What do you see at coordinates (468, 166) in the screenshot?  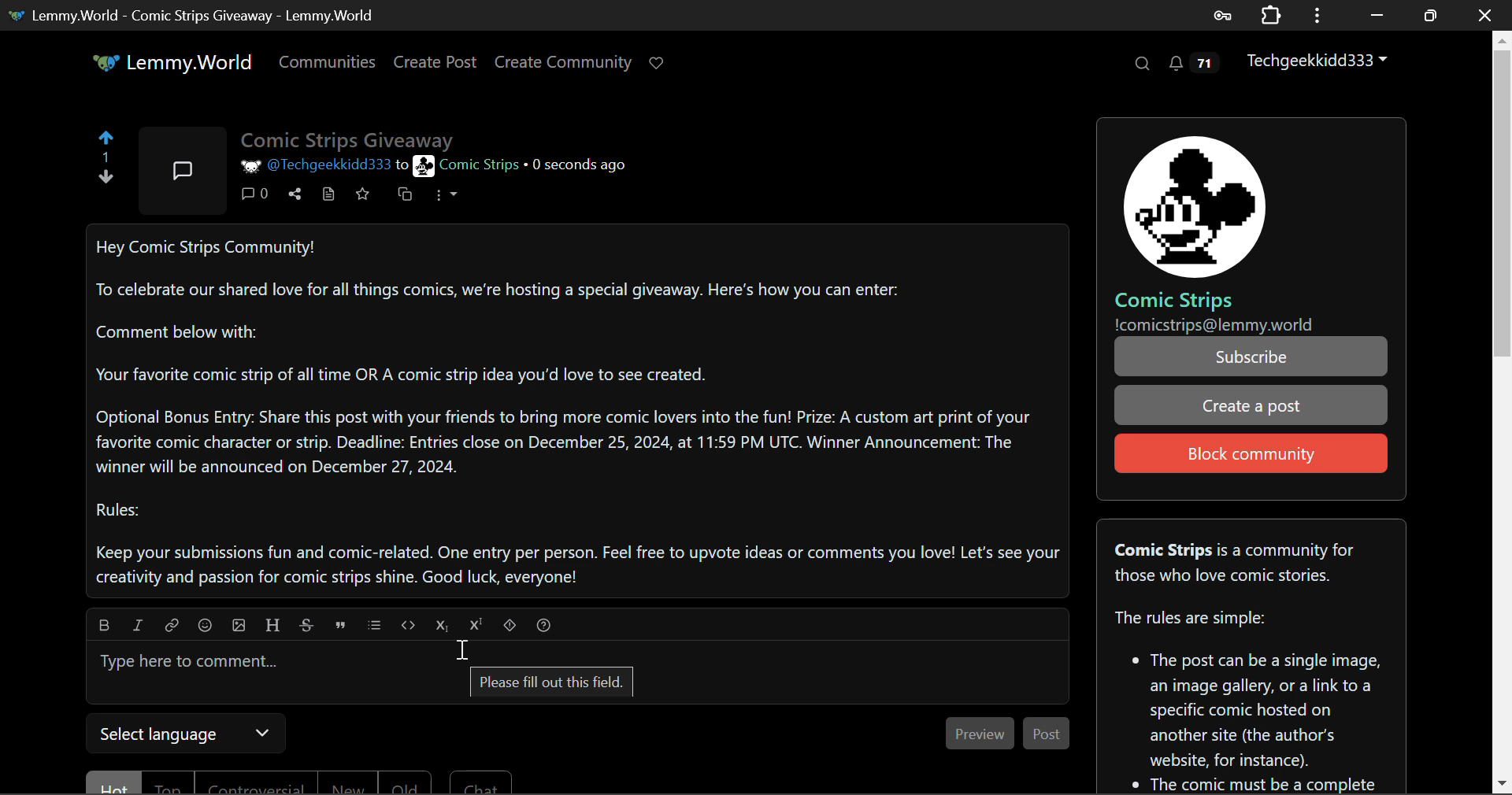 I see `Comic Strips` at bounding box center [468, 166].